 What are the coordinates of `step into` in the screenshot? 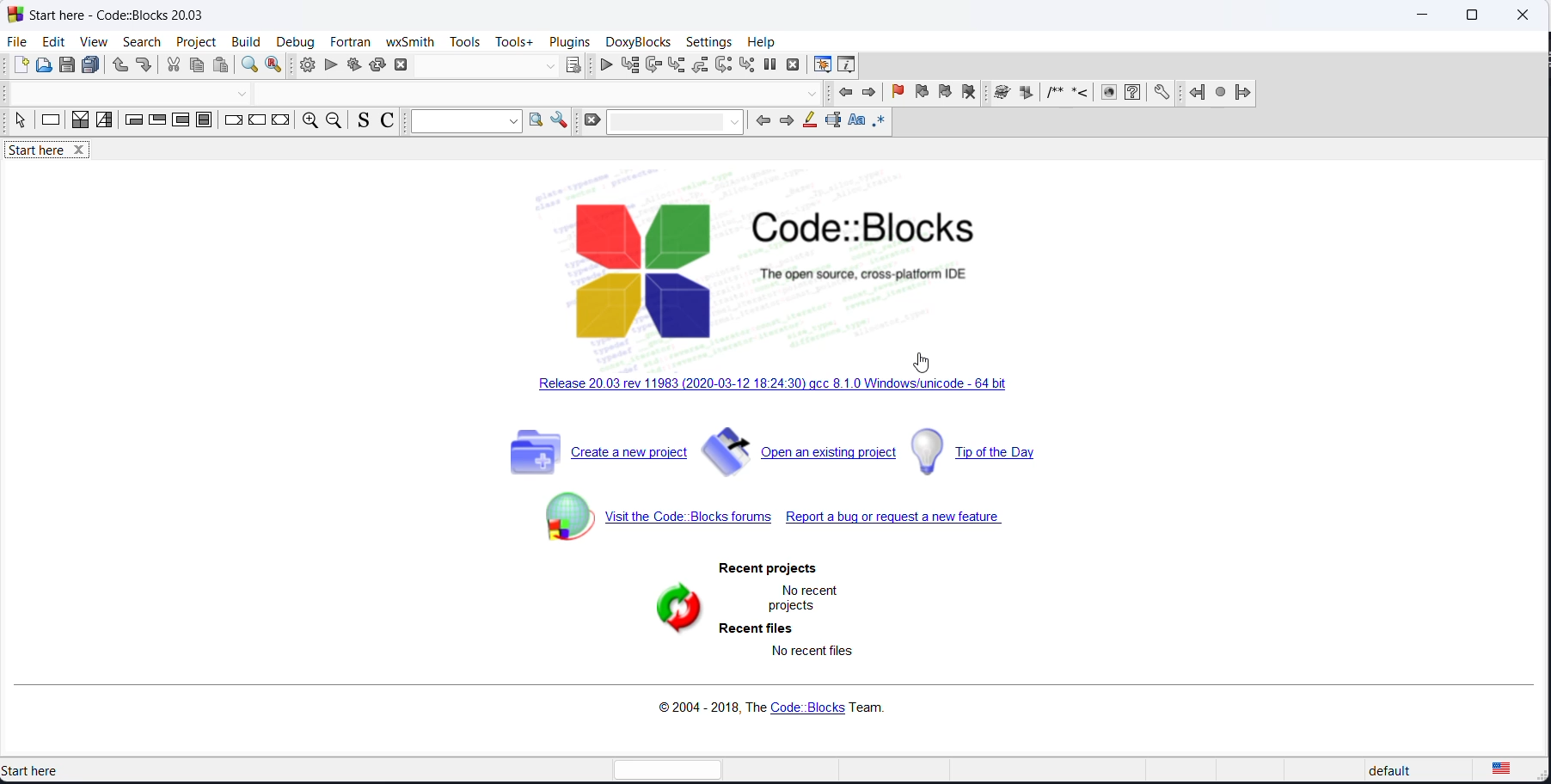 It's located at (677, 66).